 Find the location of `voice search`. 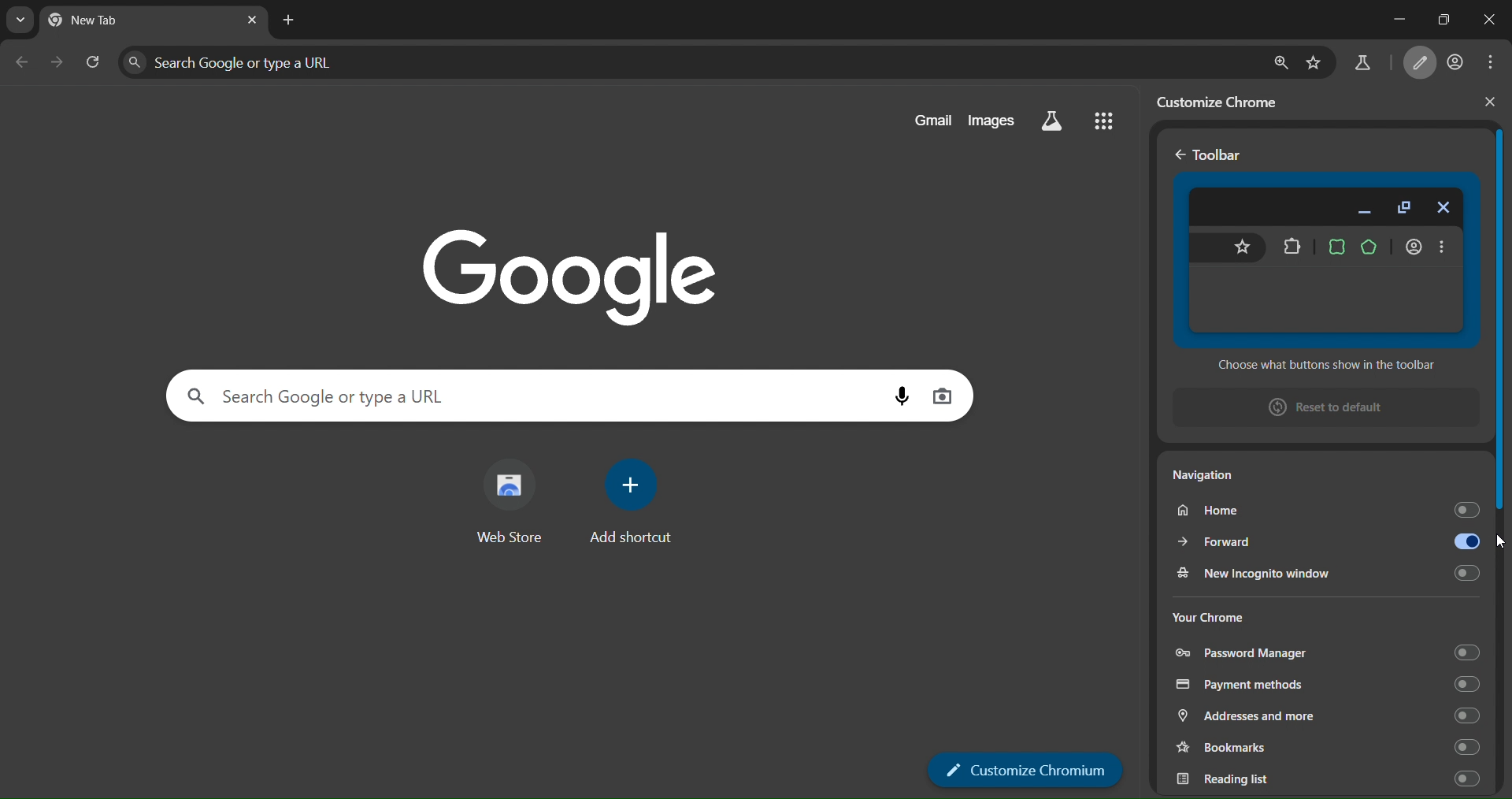

voice search is located at coordinates (894, 399).